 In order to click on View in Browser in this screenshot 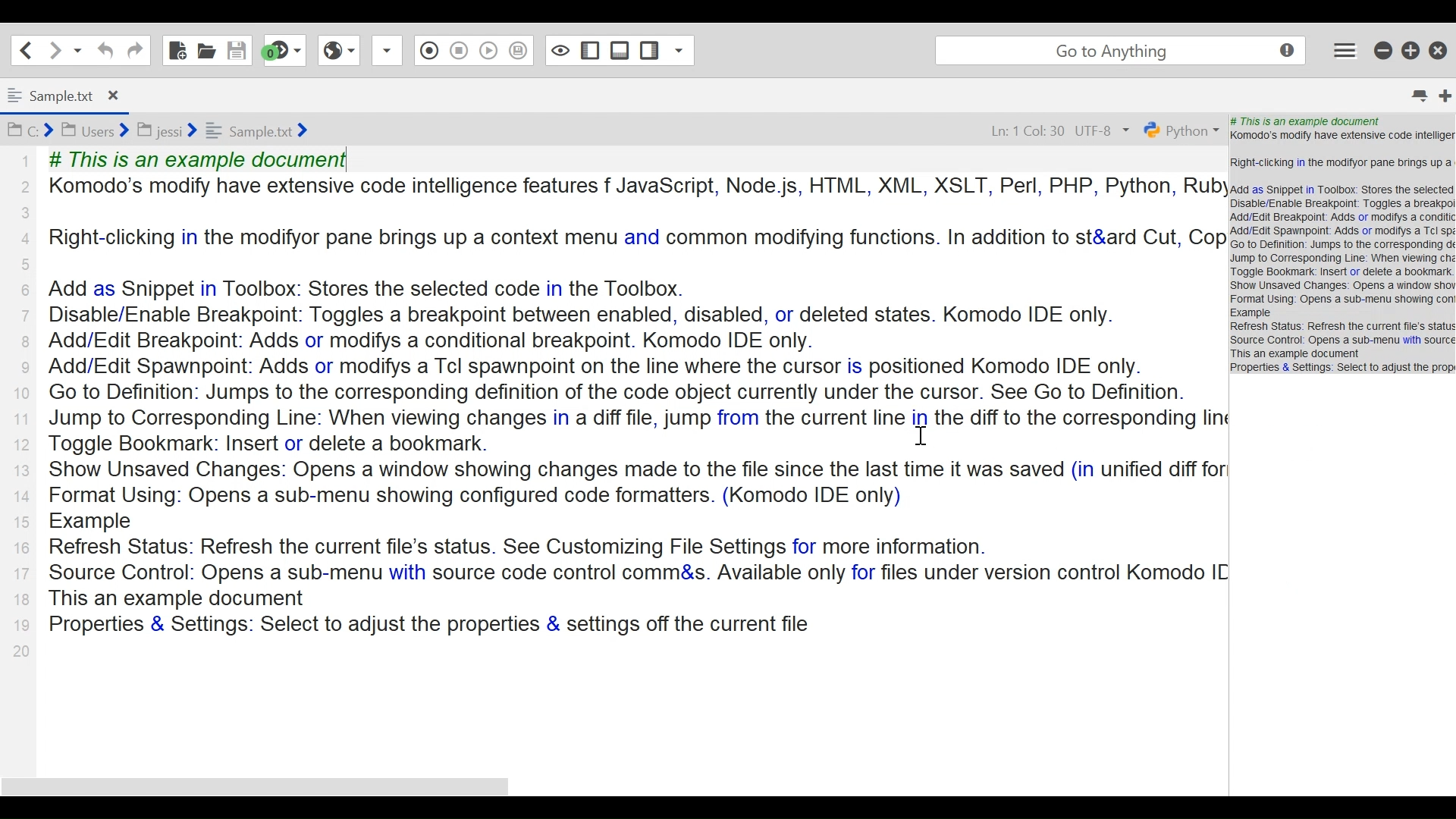, I will do `click(339, 50)`.